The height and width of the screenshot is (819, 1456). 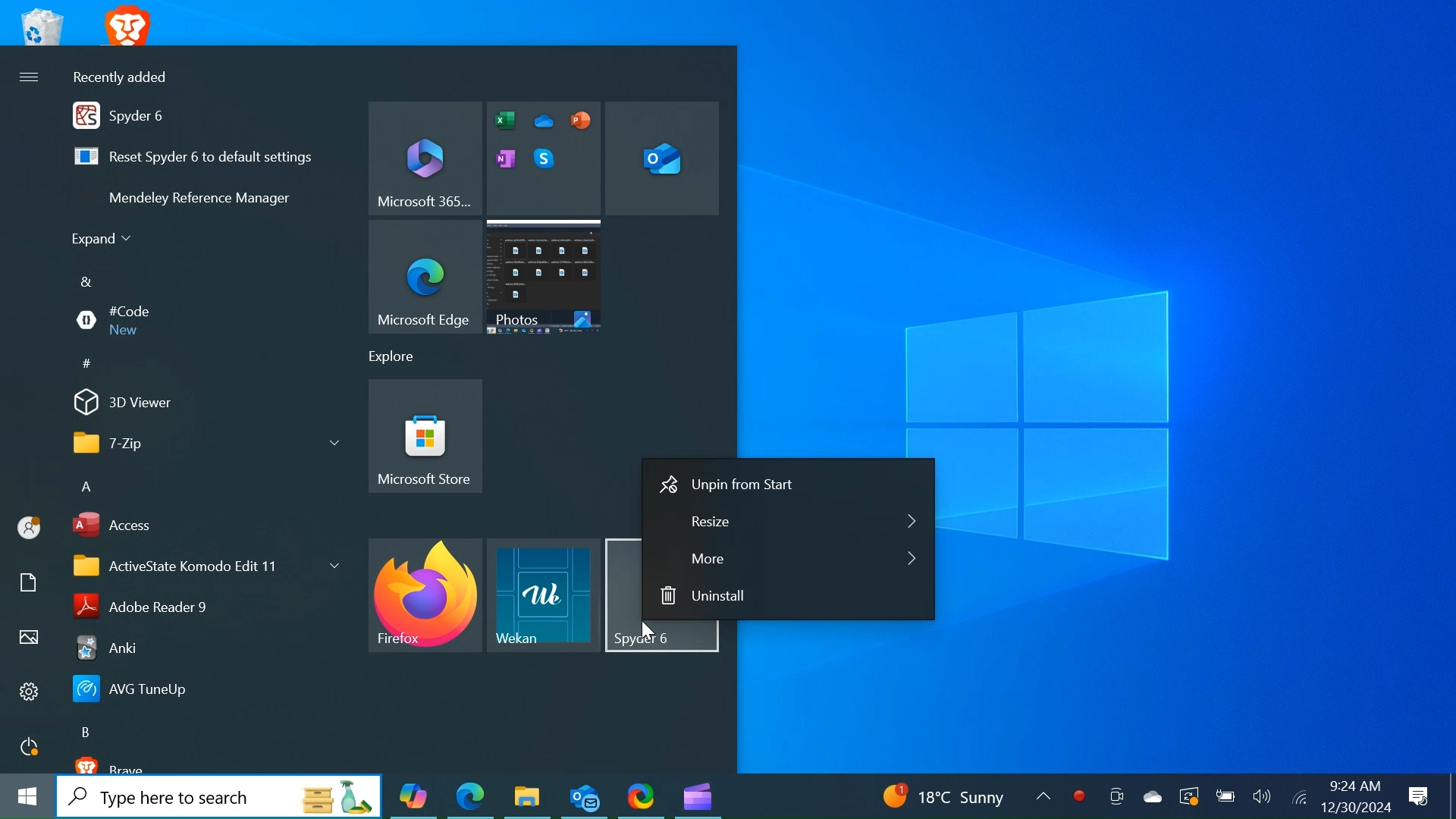 I want to click on AVG Tunnel Up, so click(x=198, y=690).